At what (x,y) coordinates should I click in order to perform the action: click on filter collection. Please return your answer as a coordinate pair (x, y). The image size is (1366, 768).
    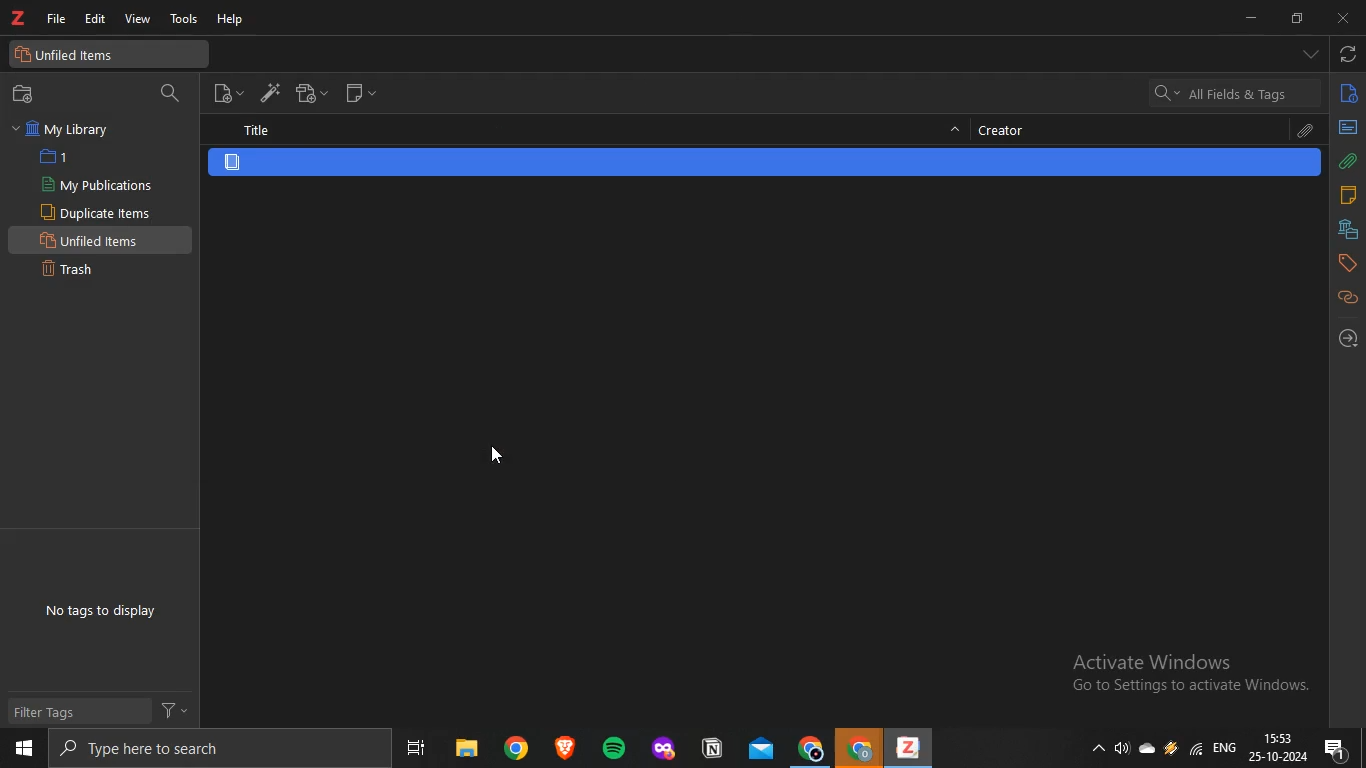
    Looking at the image, I should click on (172, 94).